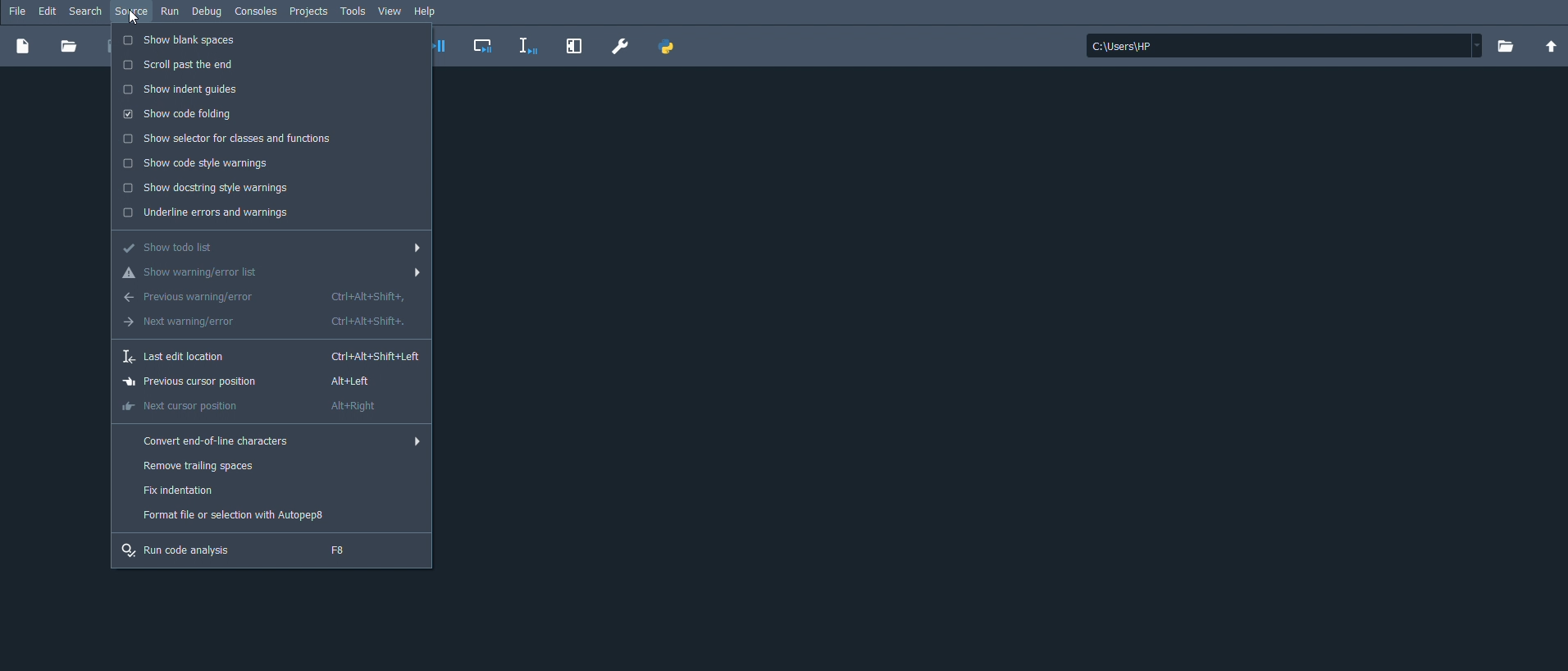 This screenshot has height=671, width=1568. What do you see at coordinates (428, 12) in the screenshot?
I see `Help` at bounding box center [428, 12].